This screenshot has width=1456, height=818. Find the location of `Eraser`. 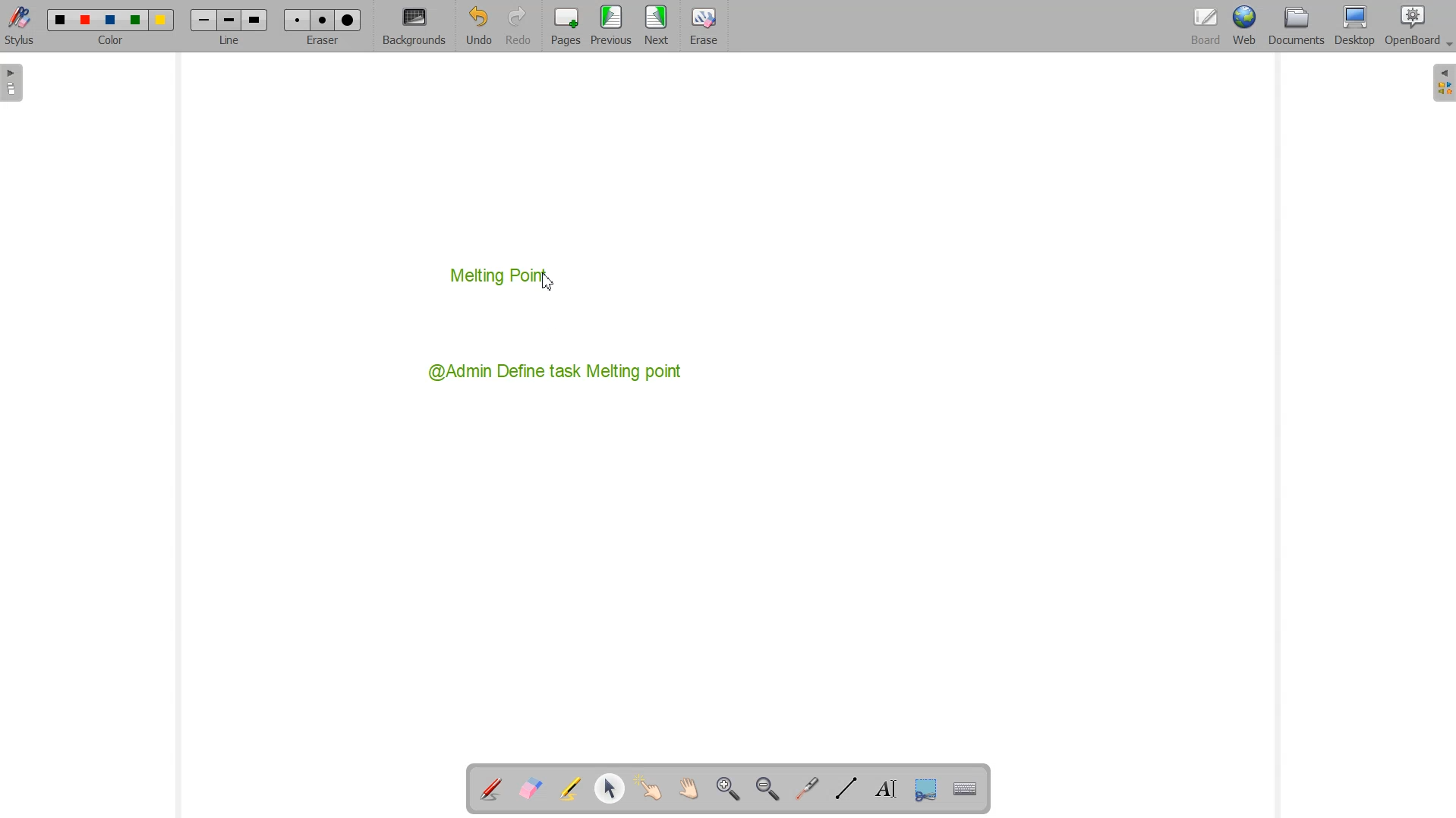

Eraser is located at coordinates (701, 27).